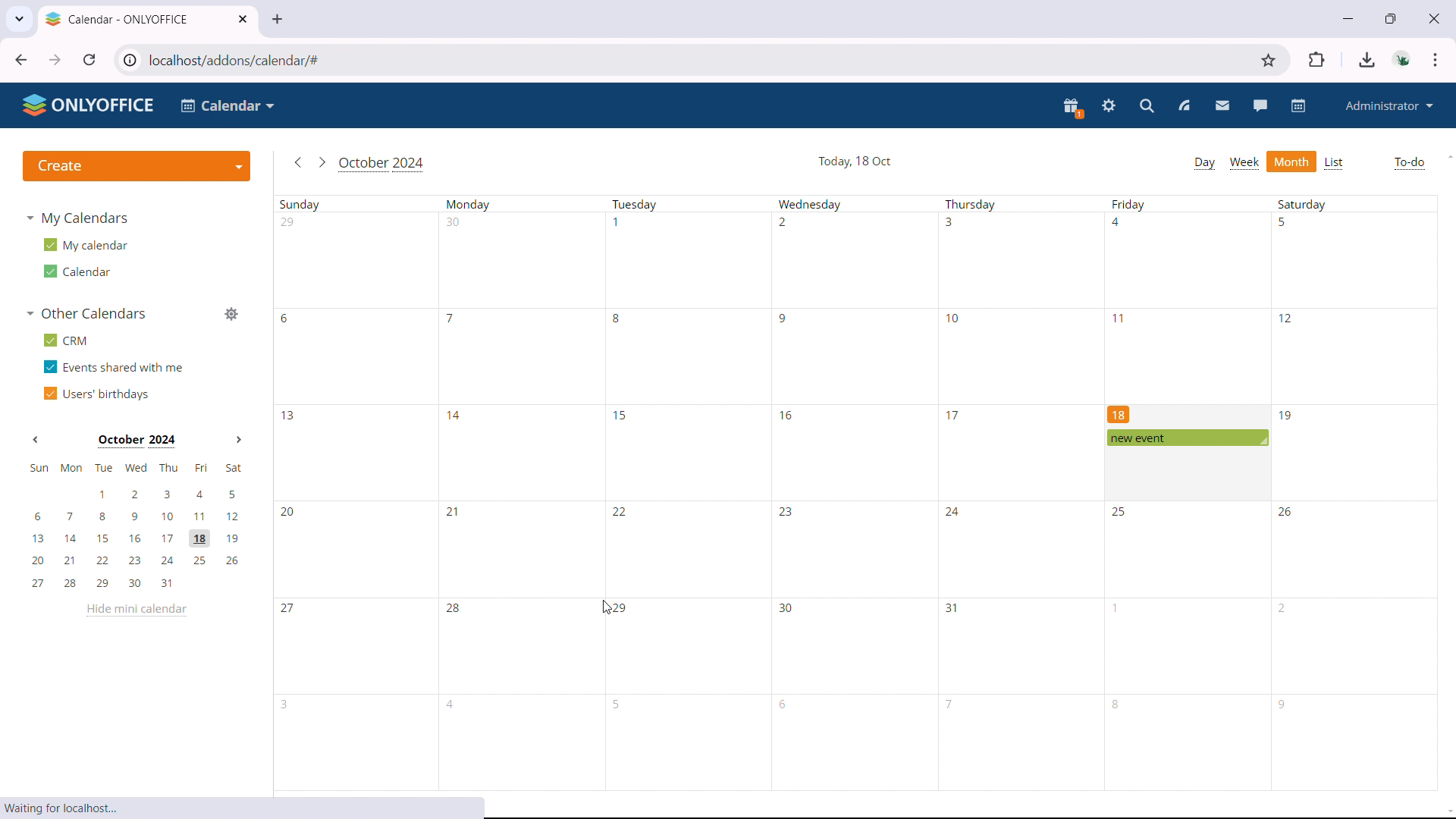 This screenshot has height=819, width=1456. Describe the element at coordinates (1287, 510) in the screenshot. I see `26` at that location.